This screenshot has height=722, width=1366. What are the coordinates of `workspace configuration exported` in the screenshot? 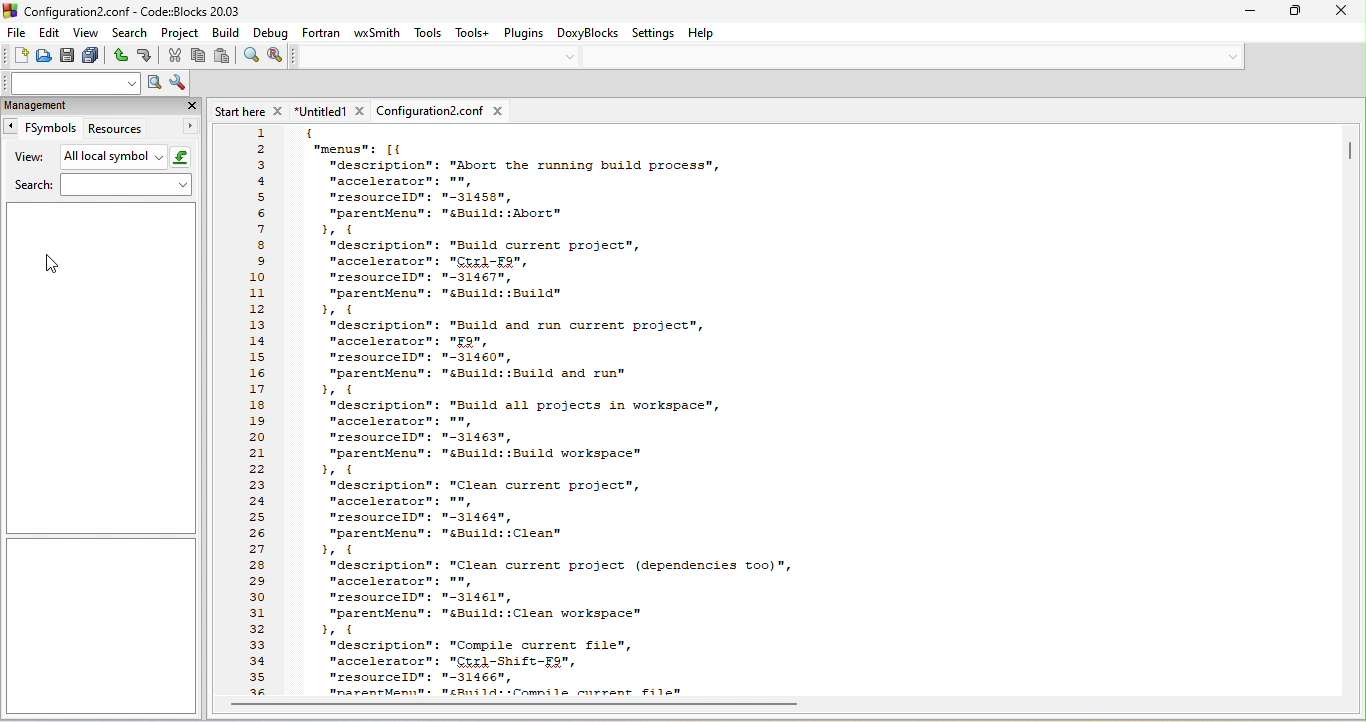 It's located at (814, 412).